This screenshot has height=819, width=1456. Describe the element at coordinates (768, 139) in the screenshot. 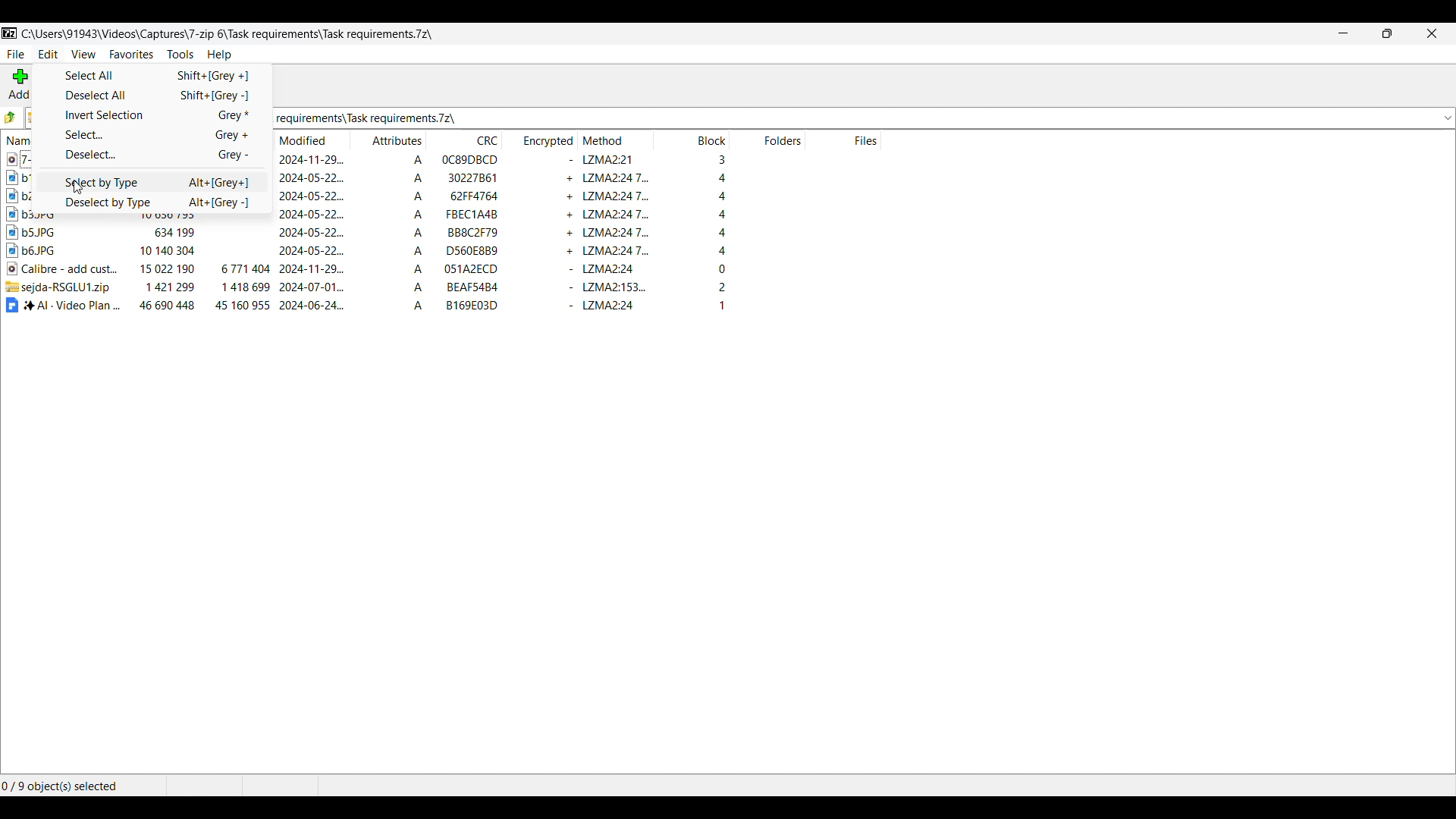

I see `Folder column` at that location.